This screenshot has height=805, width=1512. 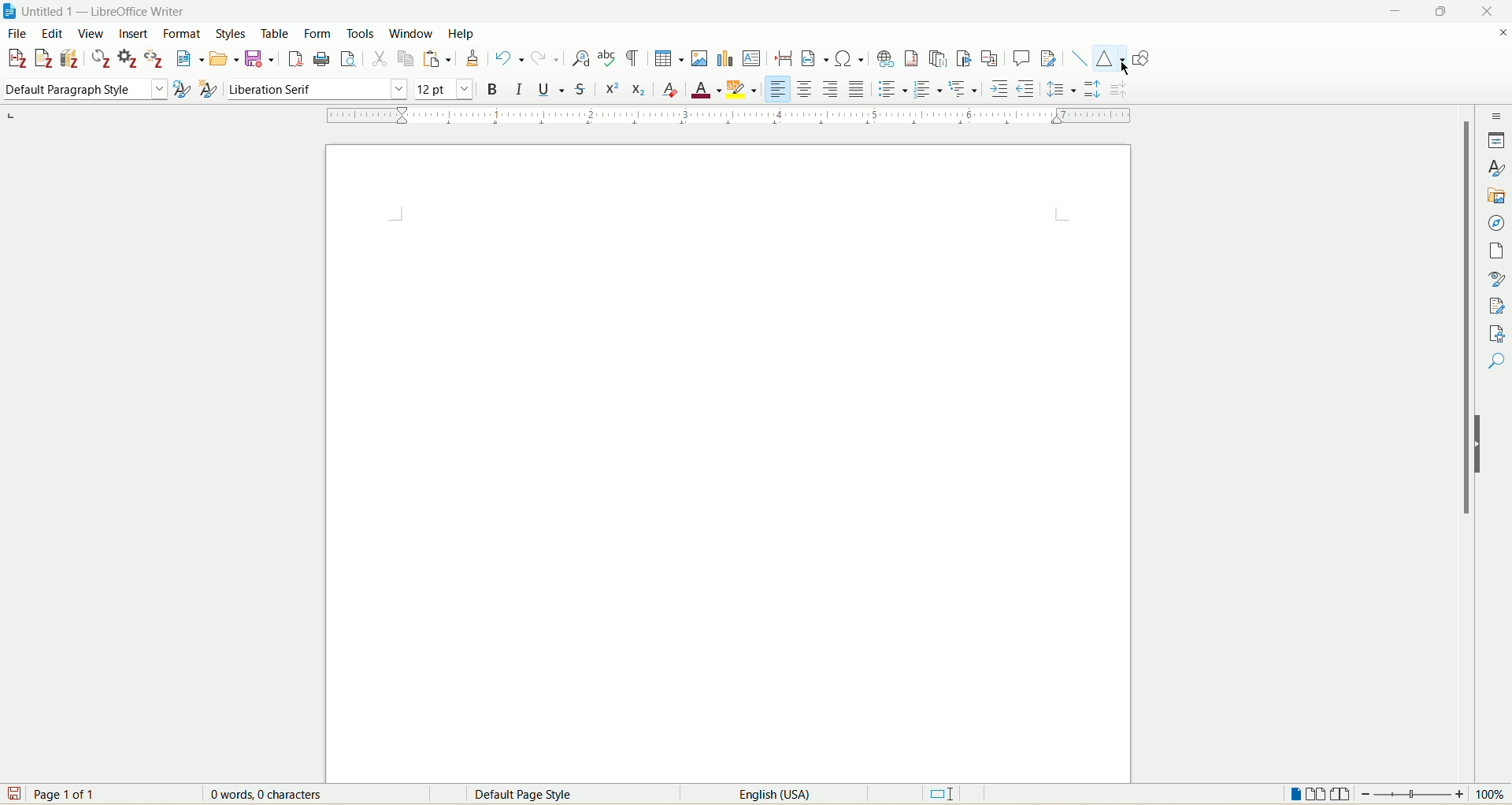 What do you see at coordinates (261, 60) in the screenshot?
I see `save` at bounding box center [261, 60].